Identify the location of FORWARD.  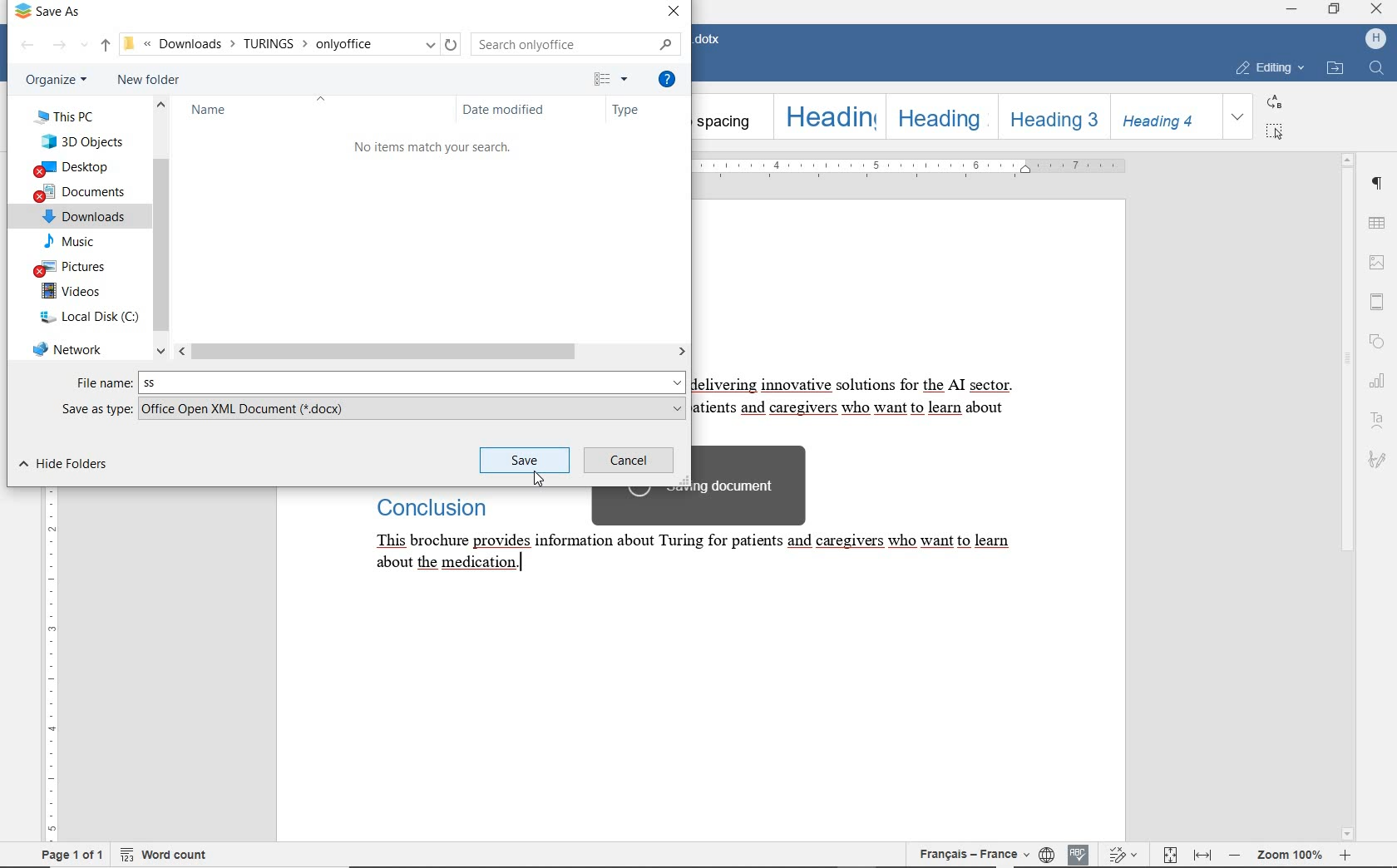
(61, 47).